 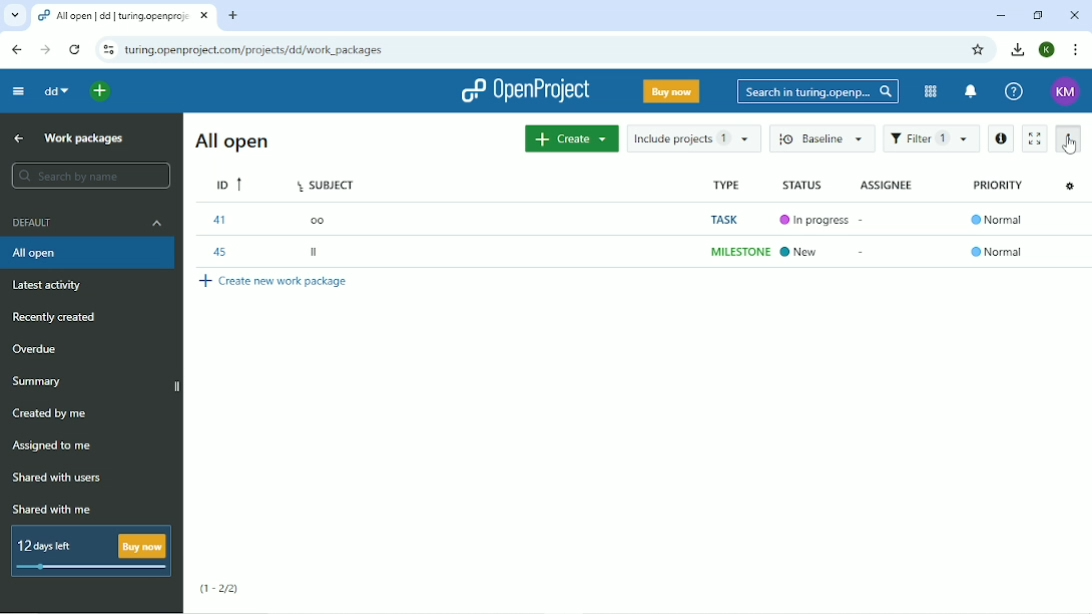 What do you see at coordinates (999, 15) in the screenshot?
I see `Minimize` at bounding box center [999, 15].